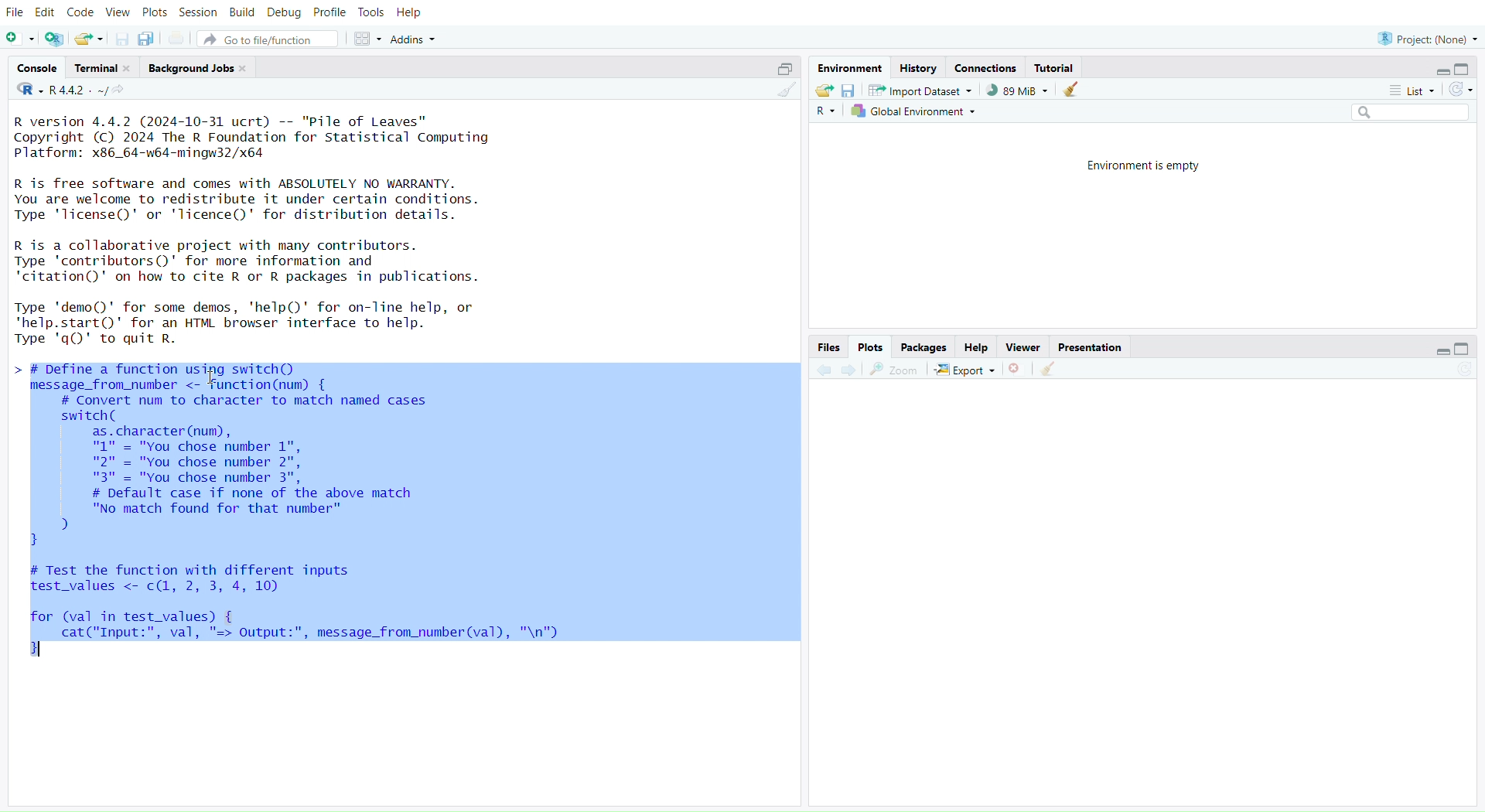 Image resolution: width=1485 pixels, height=812 pixels. I want to click on Search filter, so click(1412, 113).